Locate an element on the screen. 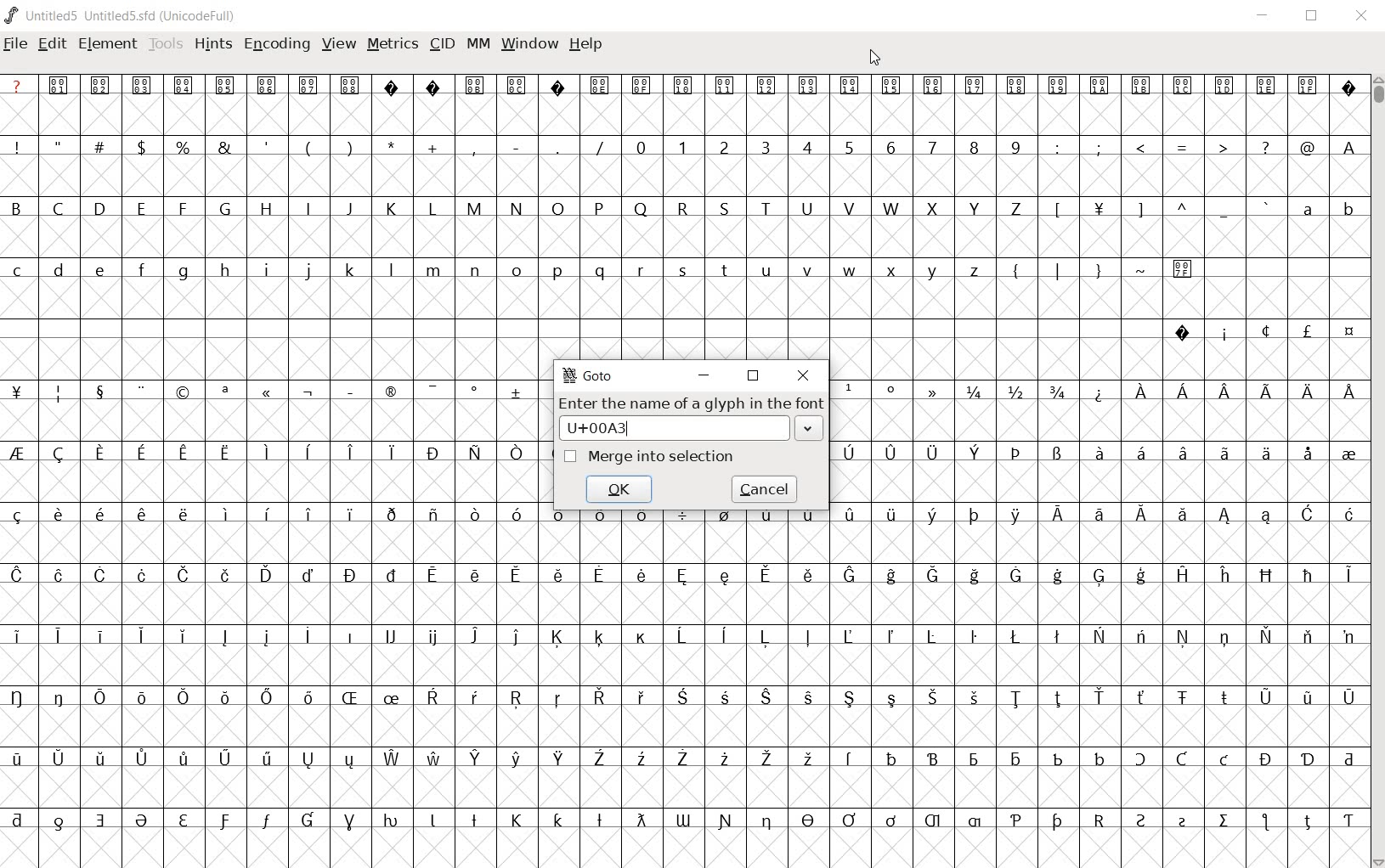 The image size is (1385, 868). O is located at coordinates (559, 209).